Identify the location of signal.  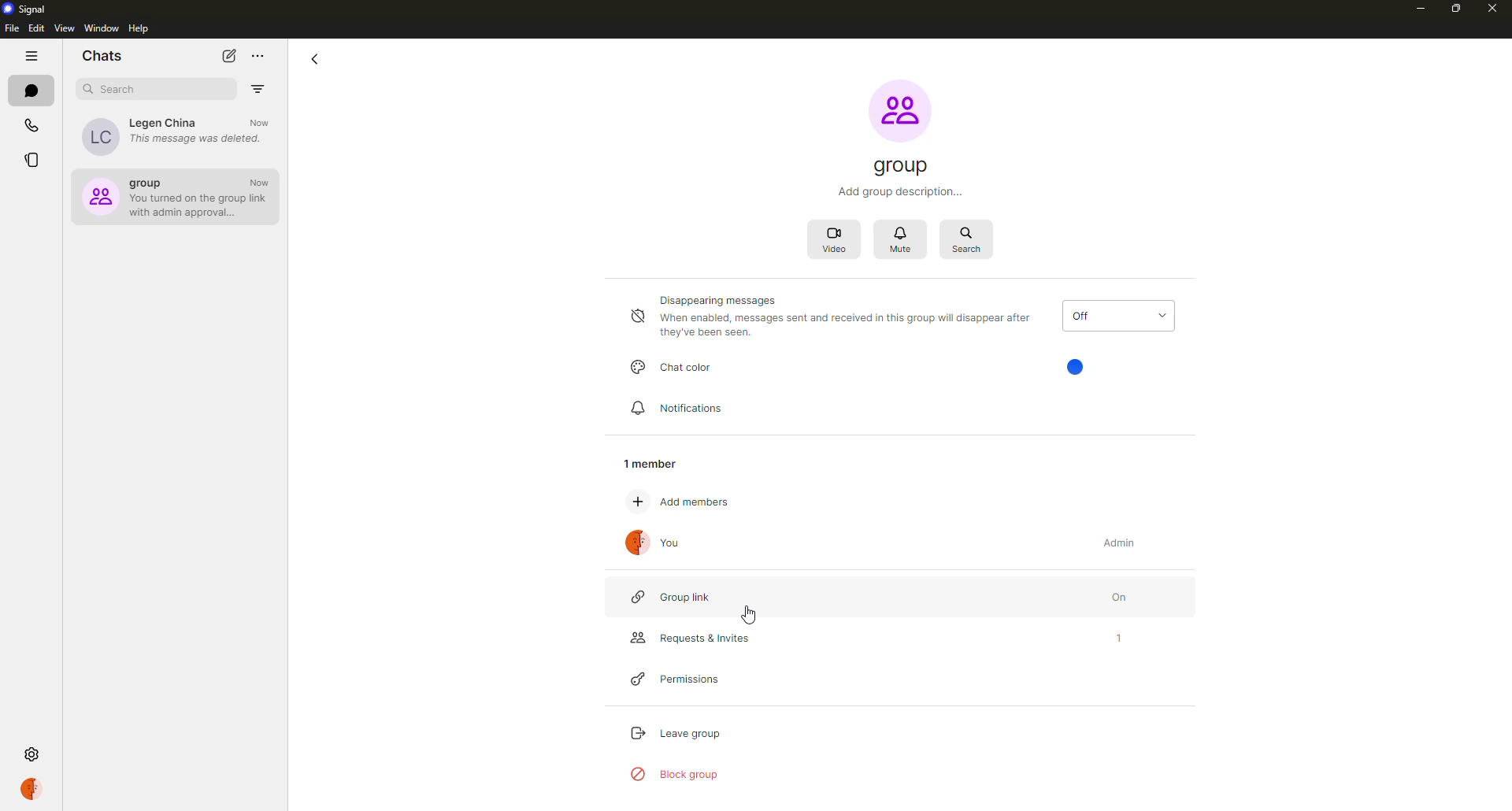
(29, 9).